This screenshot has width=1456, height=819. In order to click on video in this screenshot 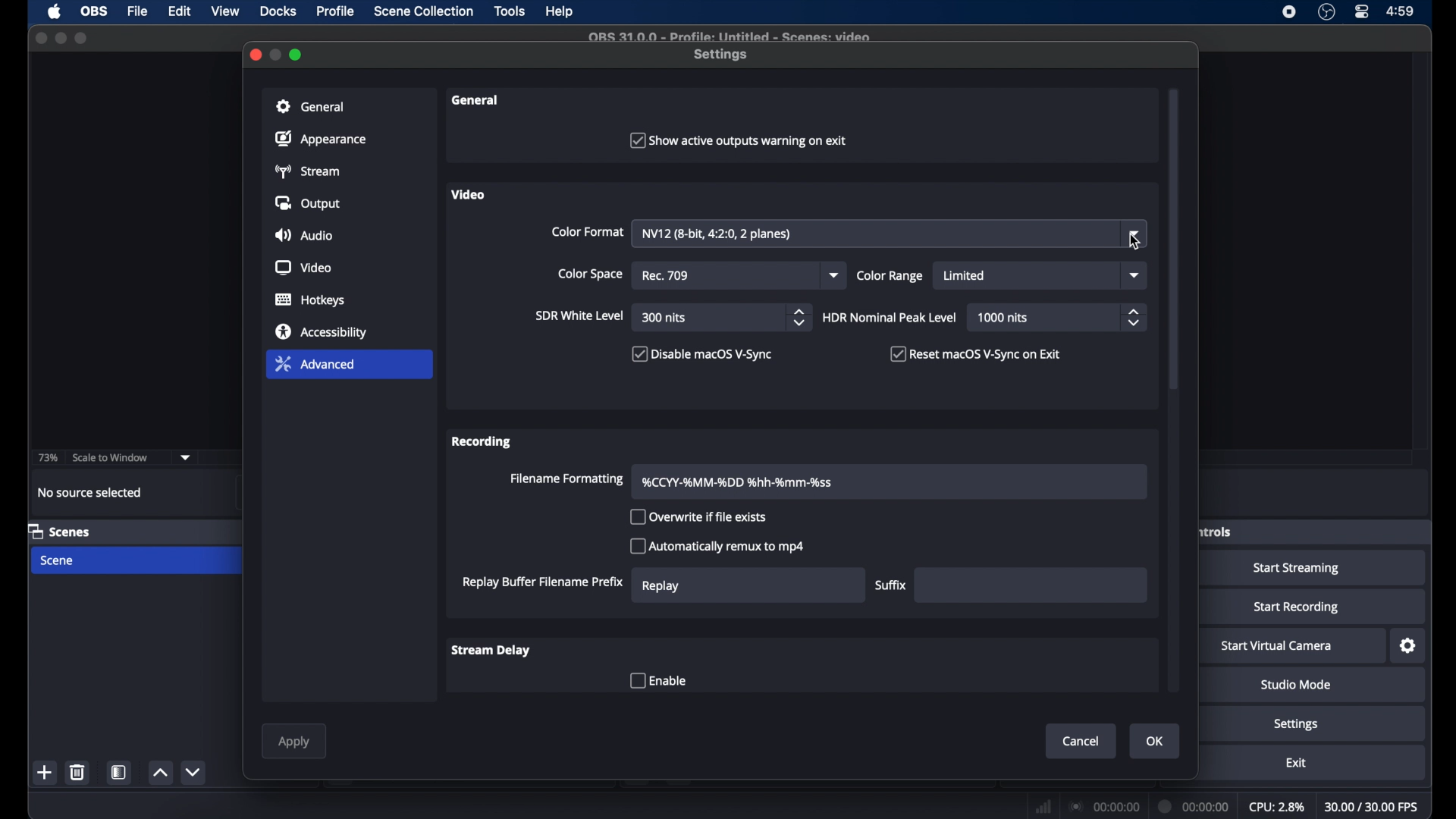, I will do `click(469, 194)`.